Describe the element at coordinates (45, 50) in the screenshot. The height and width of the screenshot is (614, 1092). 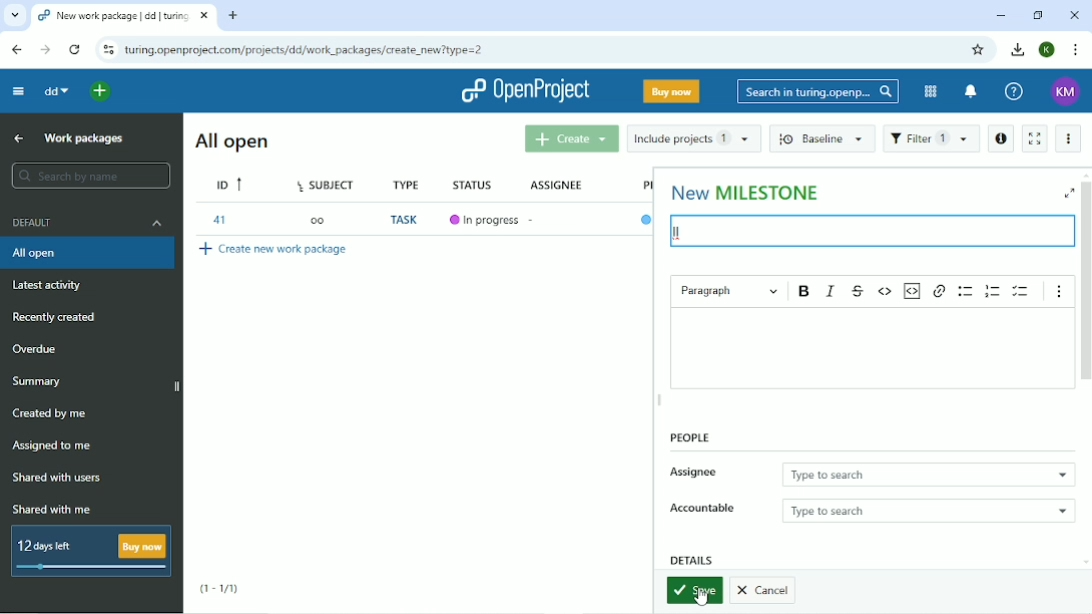
I see `Forward` at that location.